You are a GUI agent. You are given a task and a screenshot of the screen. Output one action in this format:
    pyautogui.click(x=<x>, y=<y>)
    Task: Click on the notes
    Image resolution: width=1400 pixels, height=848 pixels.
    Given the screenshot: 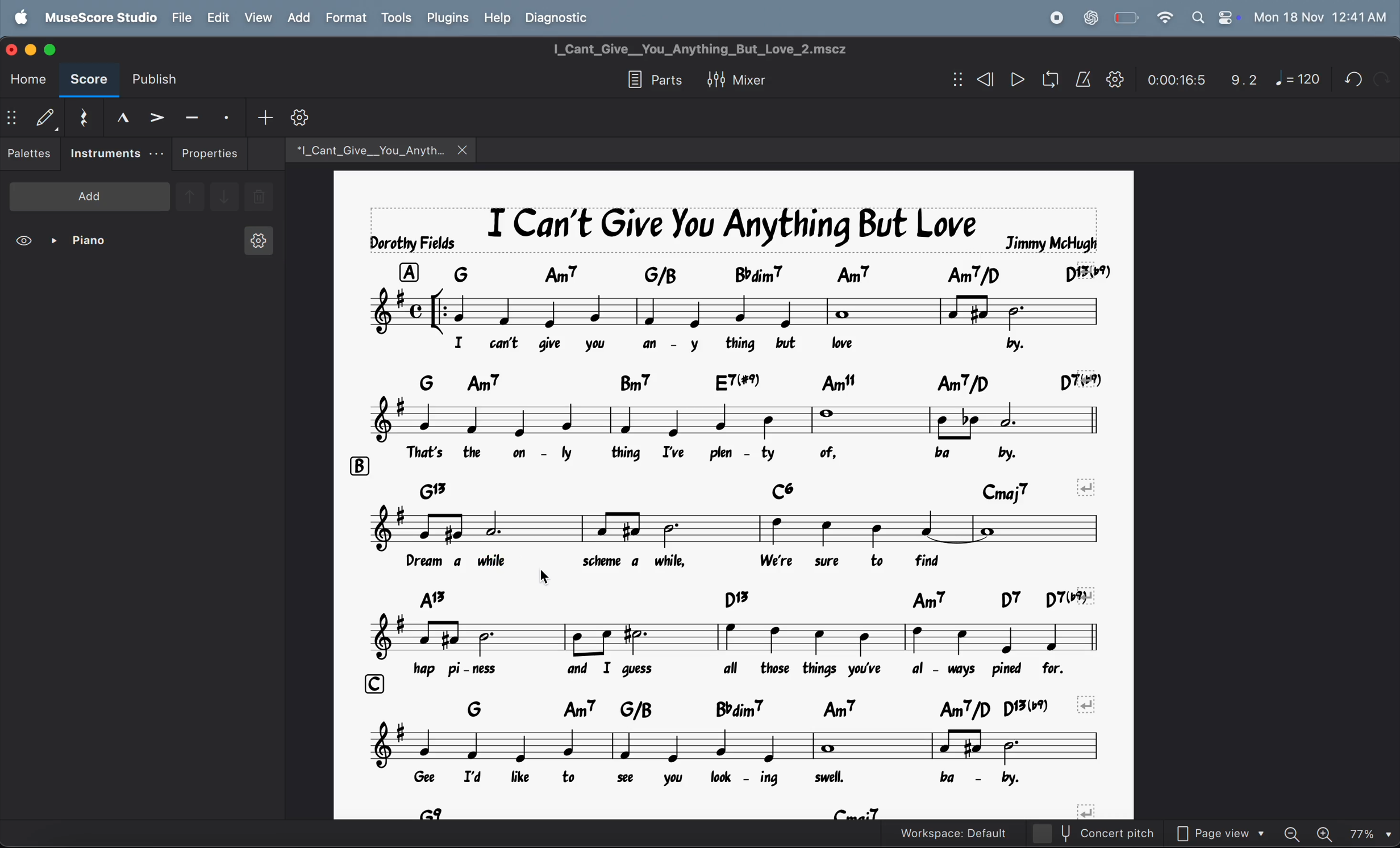 What is the action you would take?
    pyautogui.click(x=739, y=311)
    